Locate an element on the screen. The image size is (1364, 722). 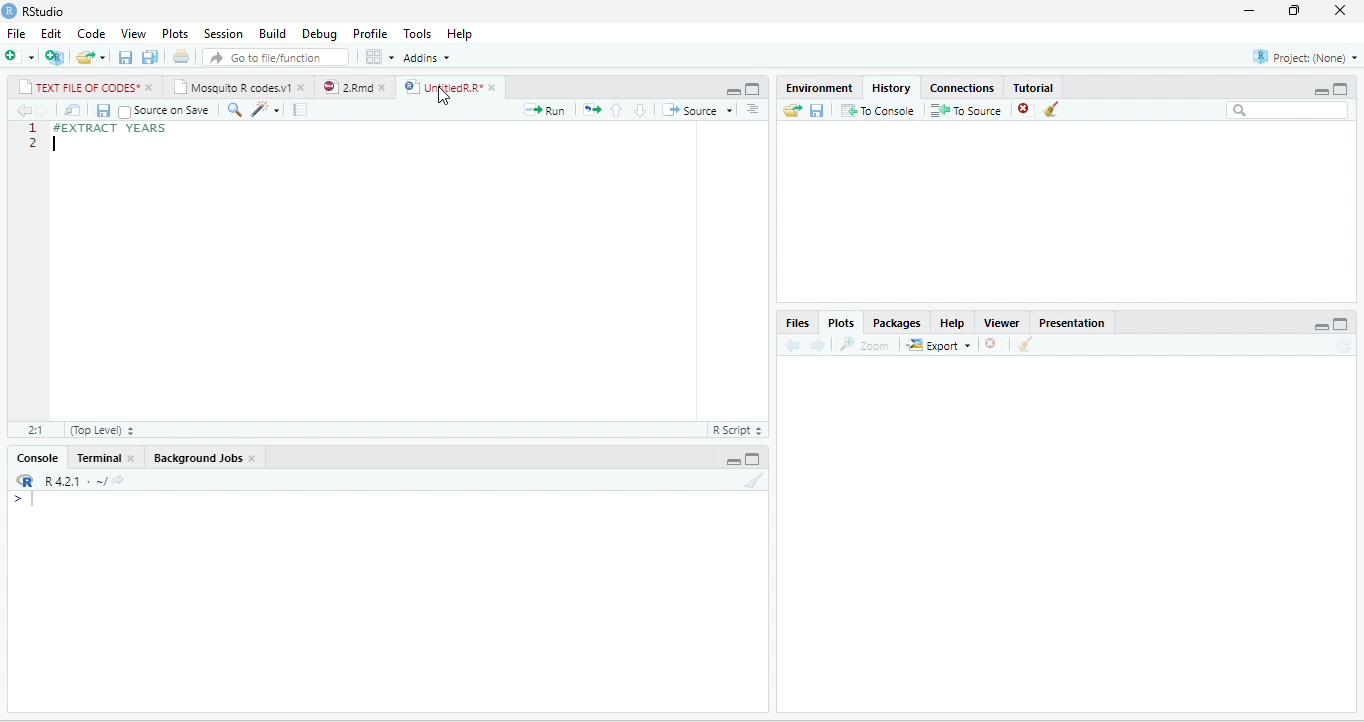
Maximize is located at coordinates (1340, 89).